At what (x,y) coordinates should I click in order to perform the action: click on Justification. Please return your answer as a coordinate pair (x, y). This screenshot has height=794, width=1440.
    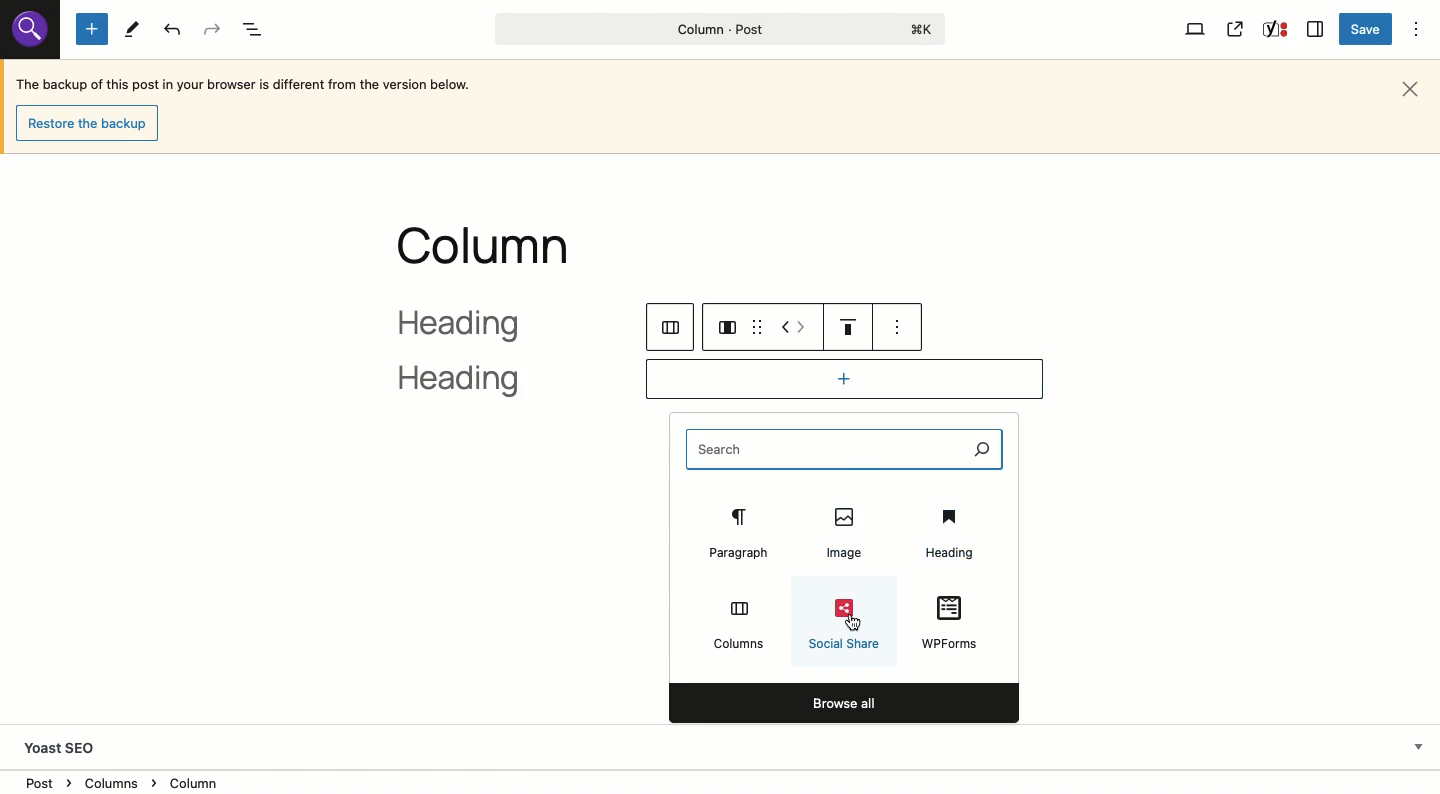
    Looking at the image, I should click on (852, 326).